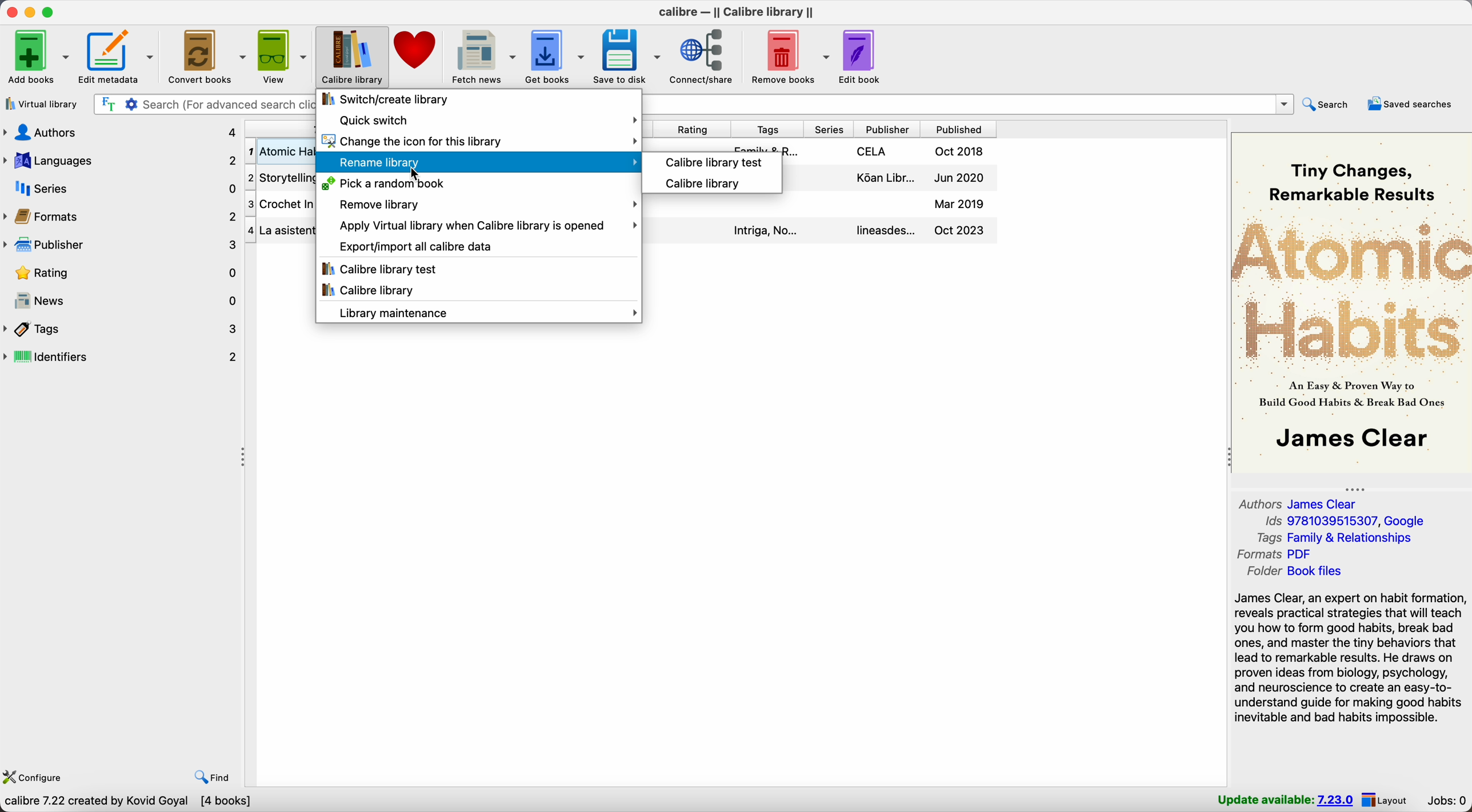 This screenshot has height=812, width=1472. What do you see at coordinates (555, 55) in the screenshot?
I see `get books` at bounding box center [555, 55].